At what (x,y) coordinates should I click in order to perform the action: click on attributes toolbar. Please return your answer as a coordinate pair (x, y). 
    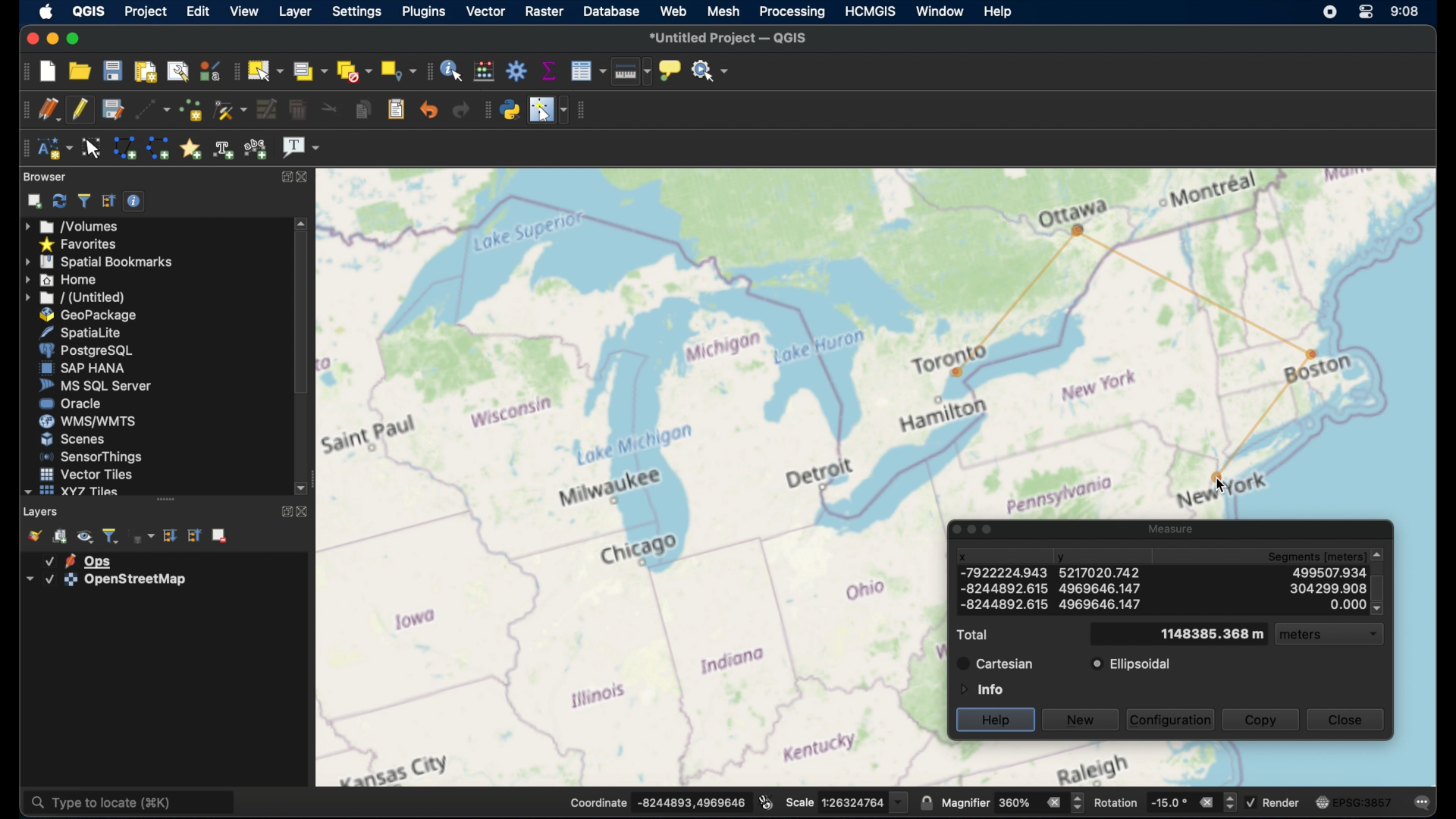
    Looking at the image, I should click on (428, 71).